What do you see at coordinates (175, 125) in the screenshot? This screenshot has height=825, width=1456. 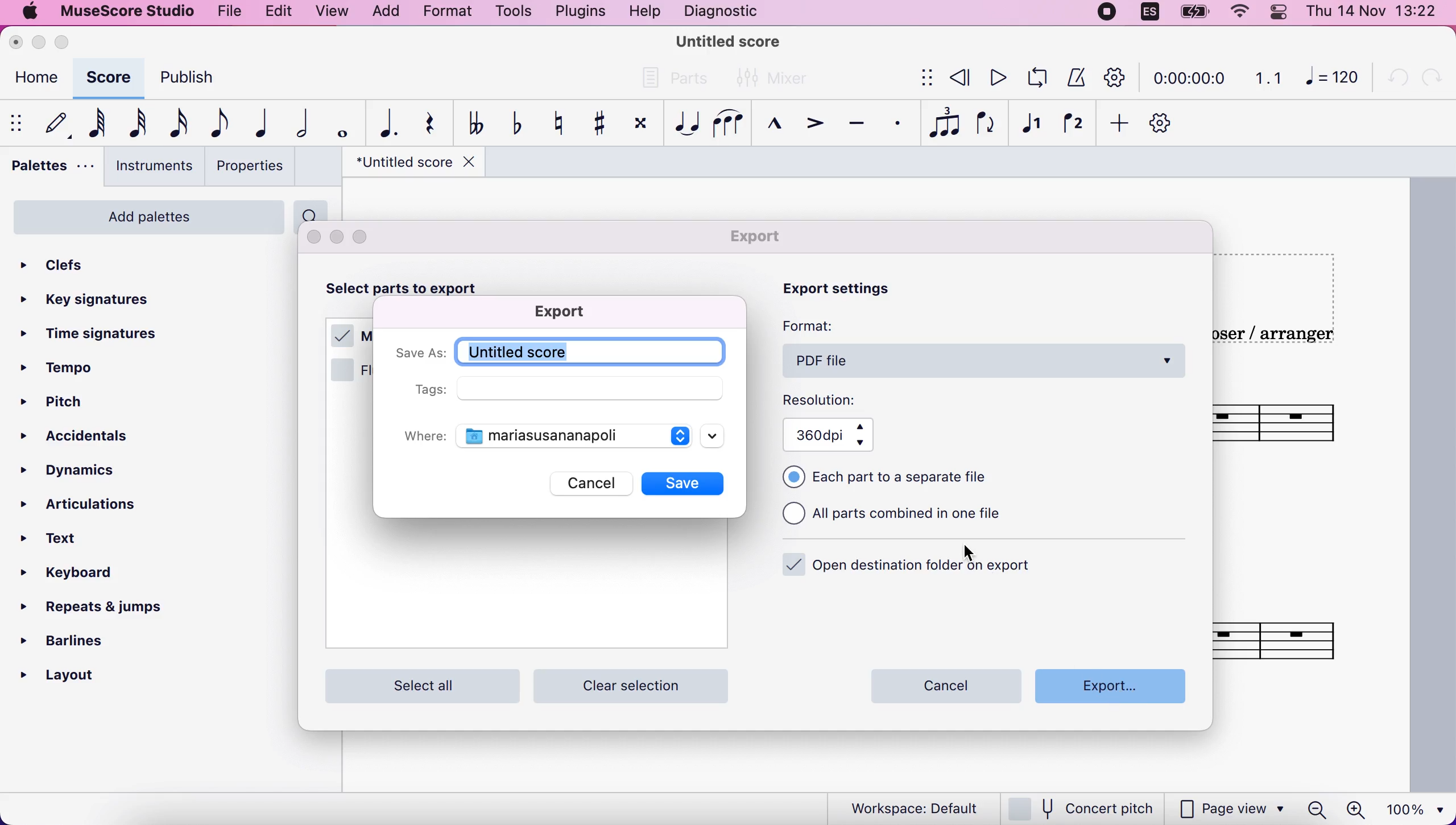 I see `16th note` at bounding box center [175, 125].